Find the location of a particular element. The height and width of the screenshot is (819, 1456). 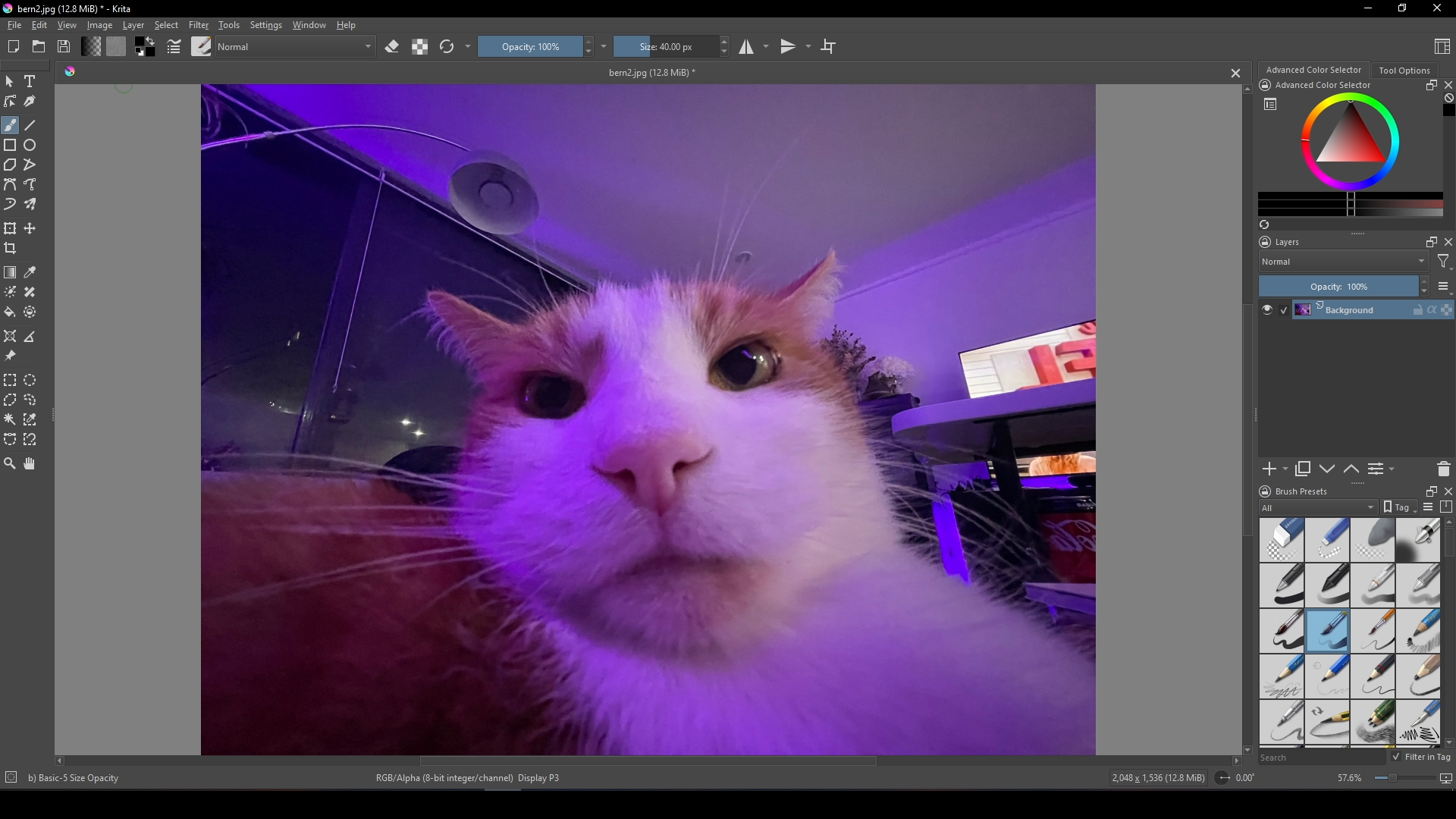

Layer interface slider is located at coordinates (1358, 234).